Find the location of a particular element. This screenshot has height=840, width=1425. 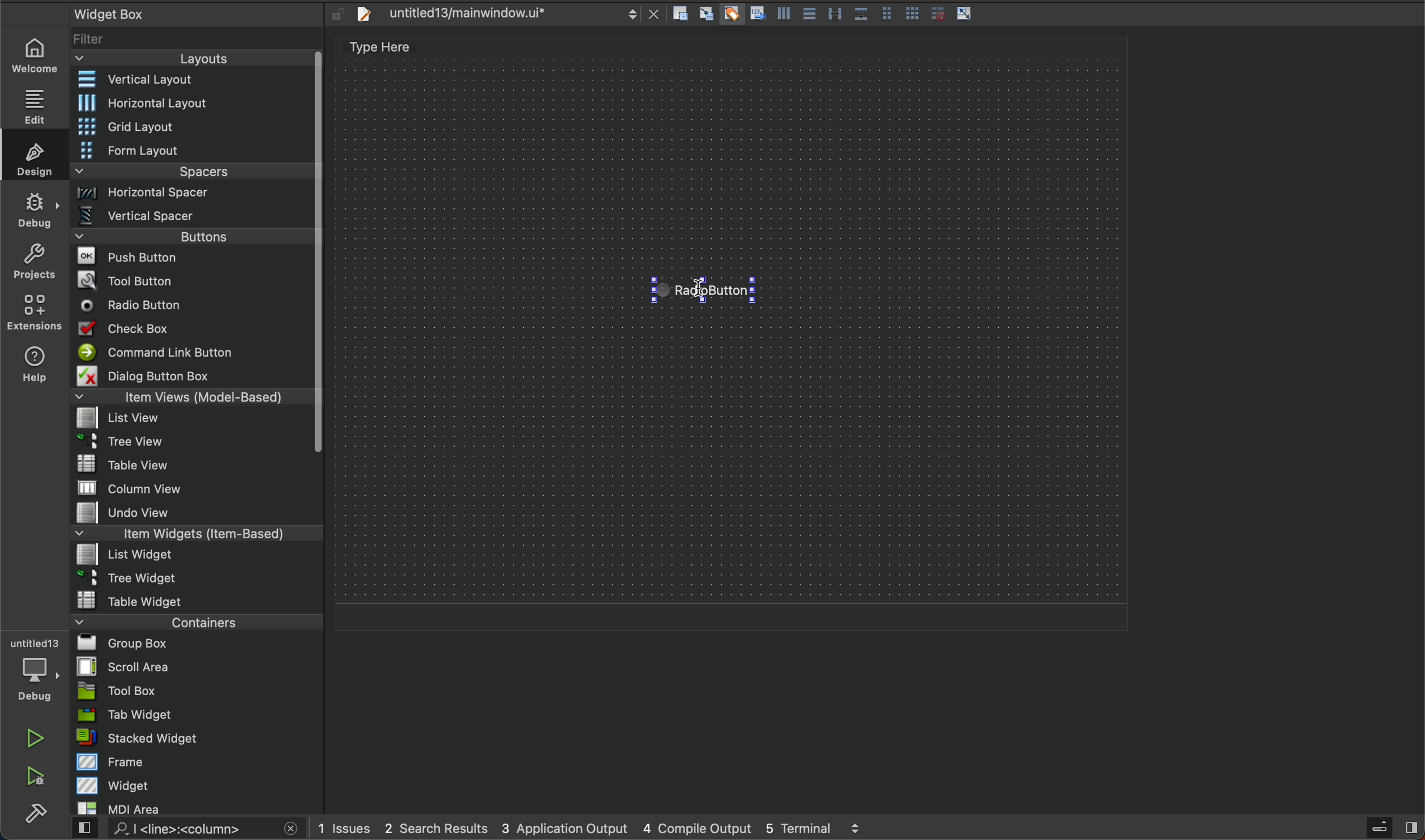

item views is located at coordinates (190, 399).